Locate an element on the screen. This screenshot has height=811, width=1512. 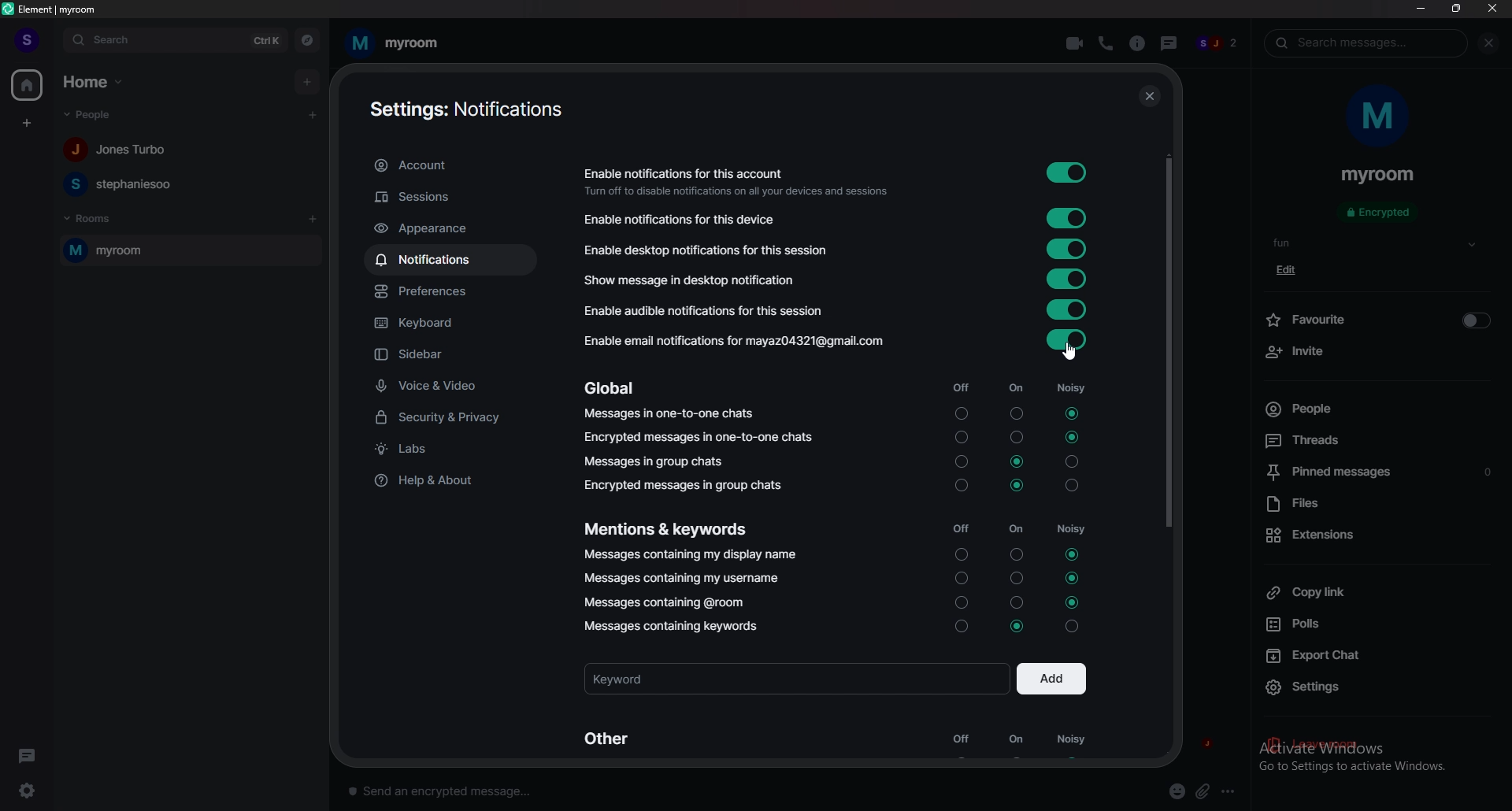
preferences is located at coordinates (454, 293).